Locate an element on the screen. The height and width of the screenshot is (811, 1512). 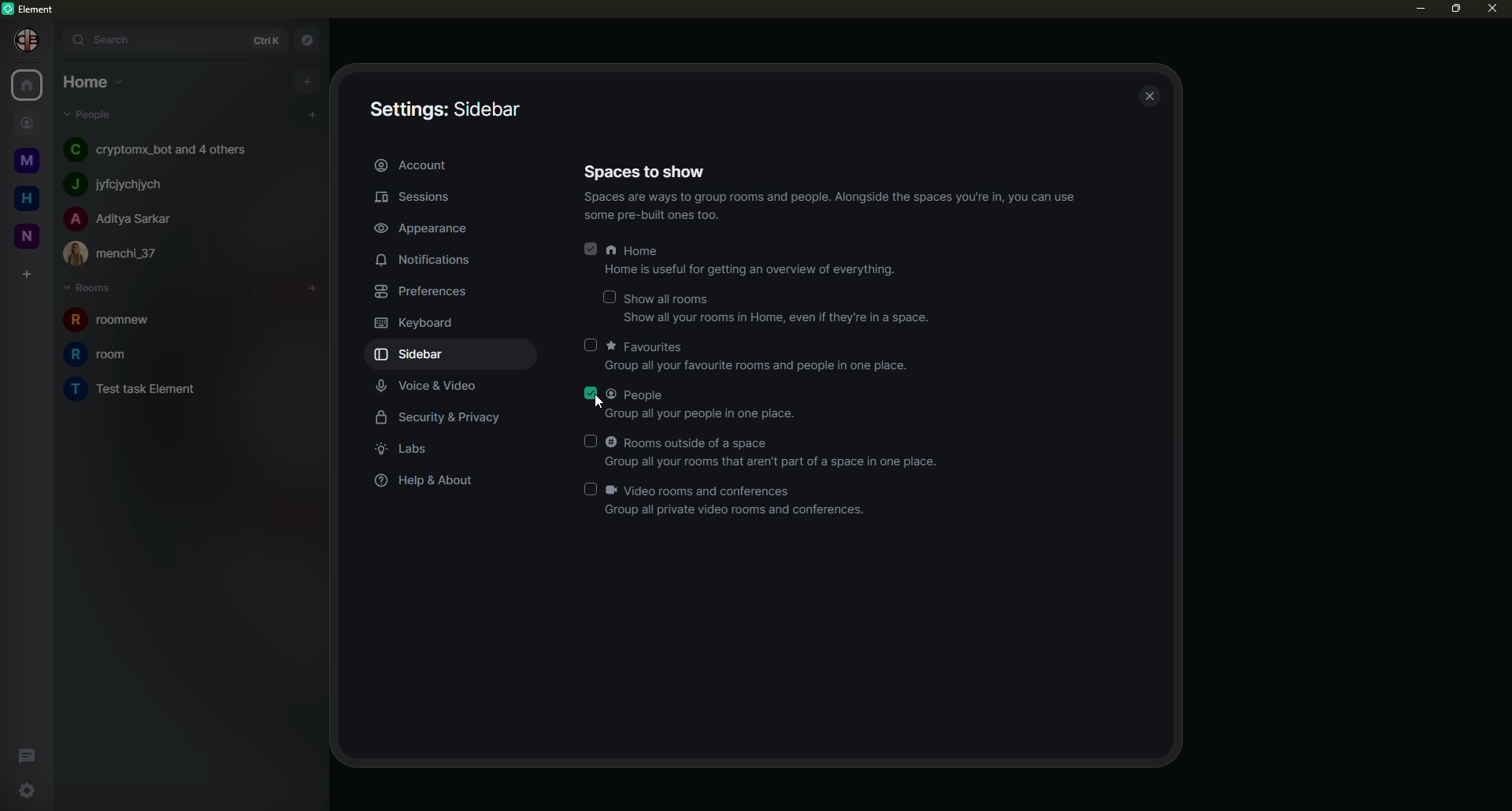
enabled is located at coordinates (593, 391).